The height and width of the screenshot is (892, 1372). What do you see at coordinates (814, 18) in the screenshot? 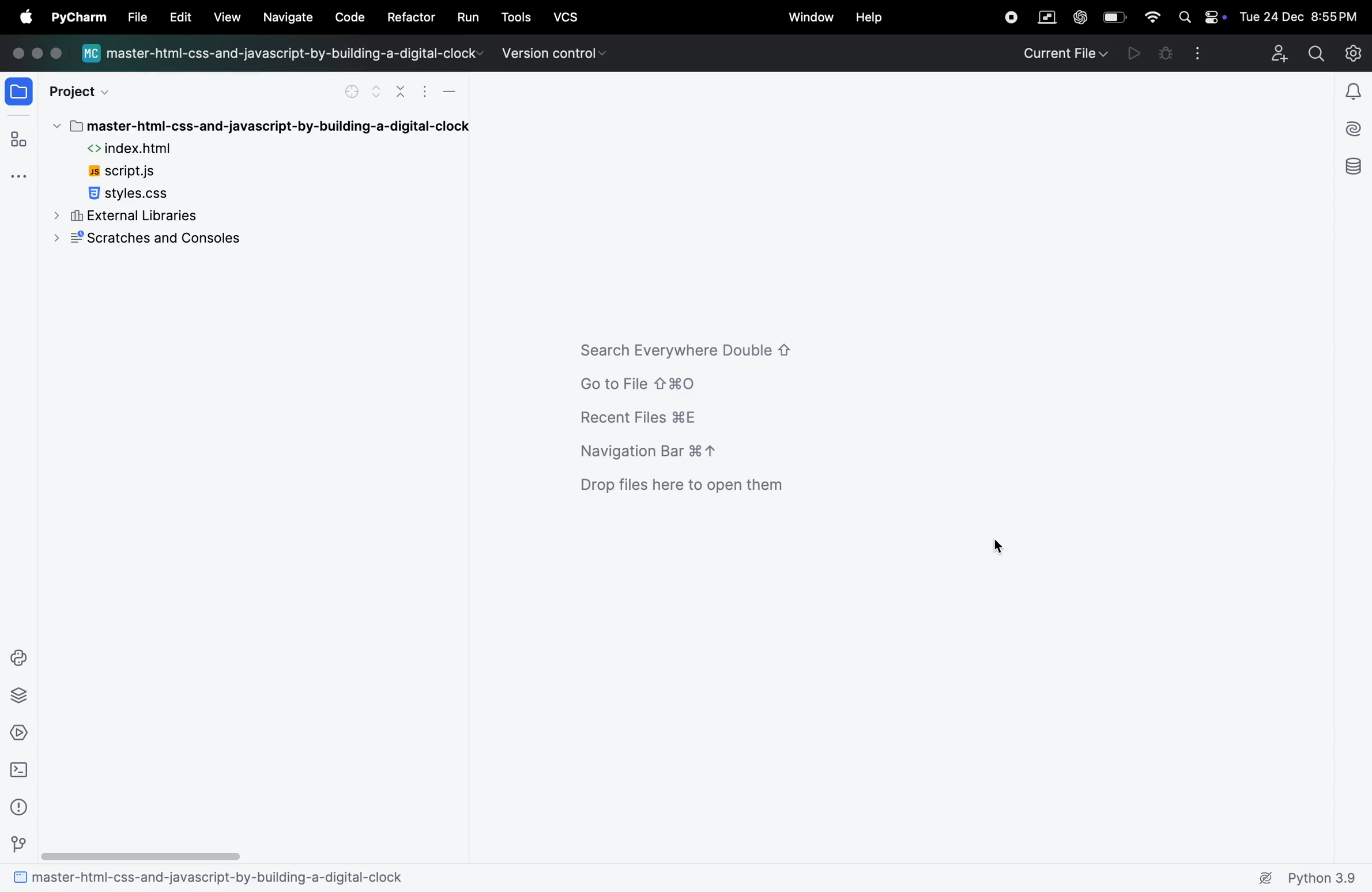
I see `window` at bounding box center [814, 18].